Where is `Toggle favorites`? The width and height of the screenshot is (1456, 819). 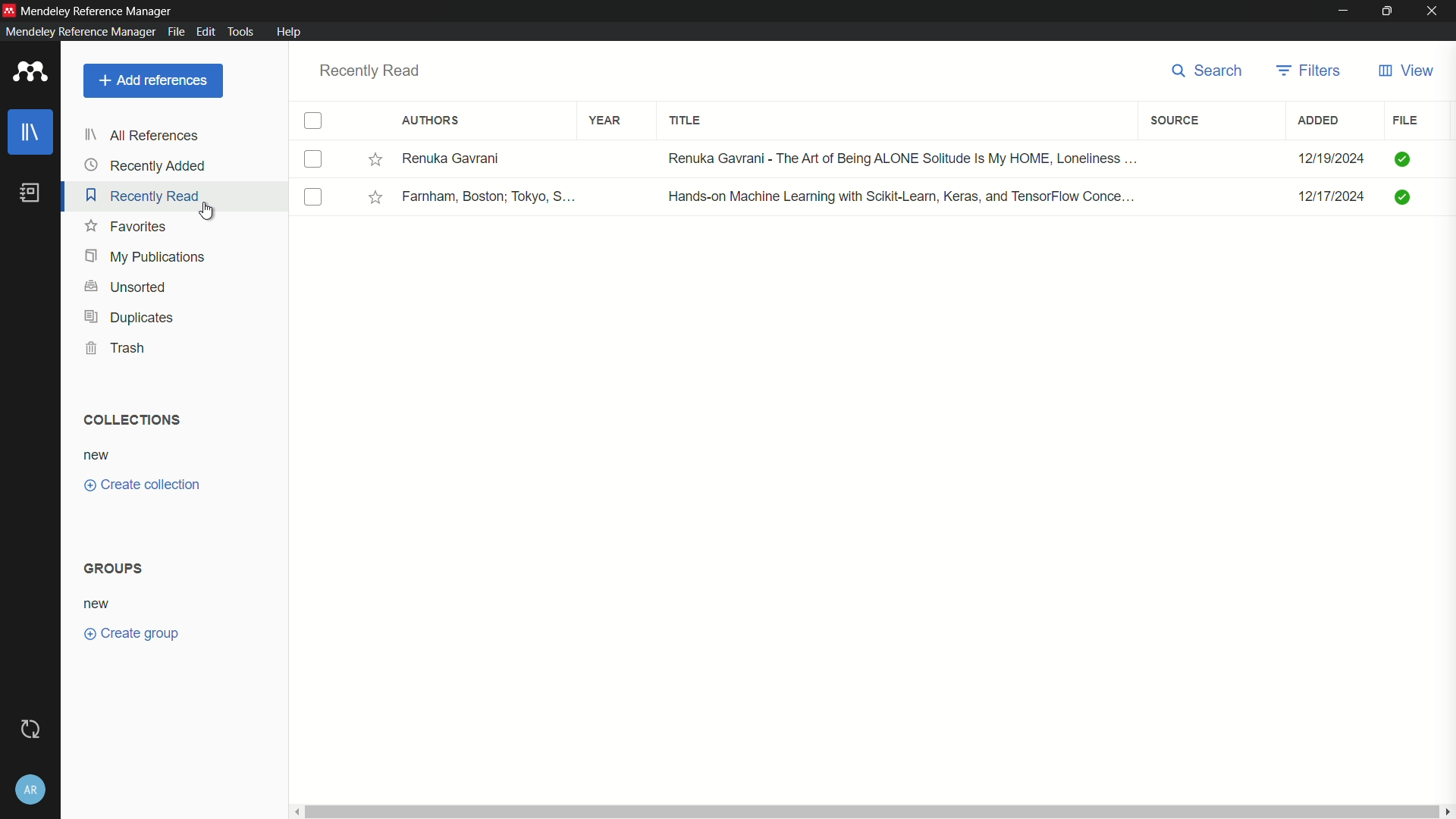 Toggle favorites is located at coordinates (375, 196).